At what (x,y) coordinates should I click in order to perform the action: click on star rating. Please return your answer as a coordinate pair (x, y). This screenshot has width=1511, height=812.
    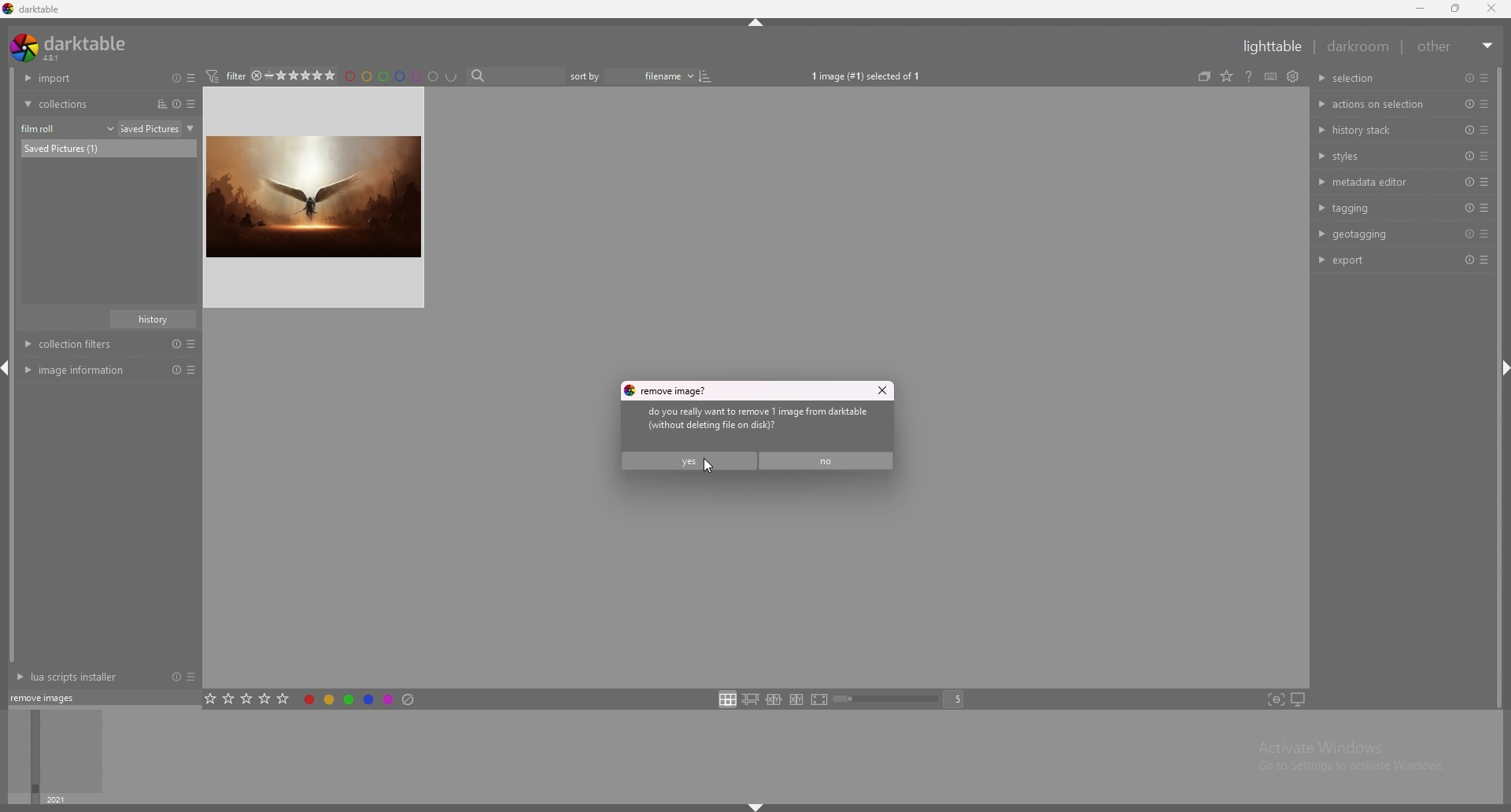
    Looking at the image, I should click on (311, 76).